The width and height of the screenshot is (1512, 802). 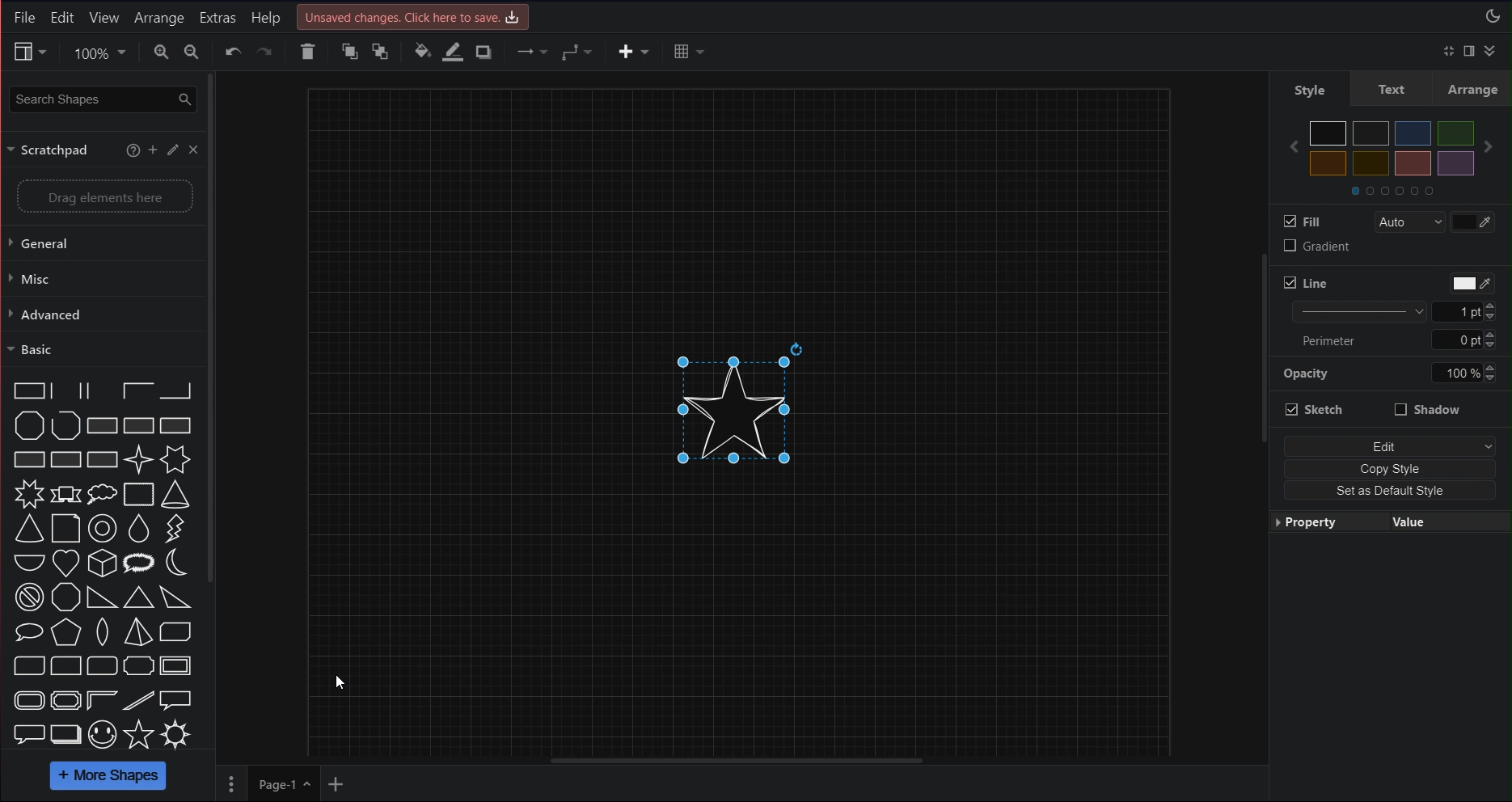 I want to click on Close, so click(x=194, y=150).